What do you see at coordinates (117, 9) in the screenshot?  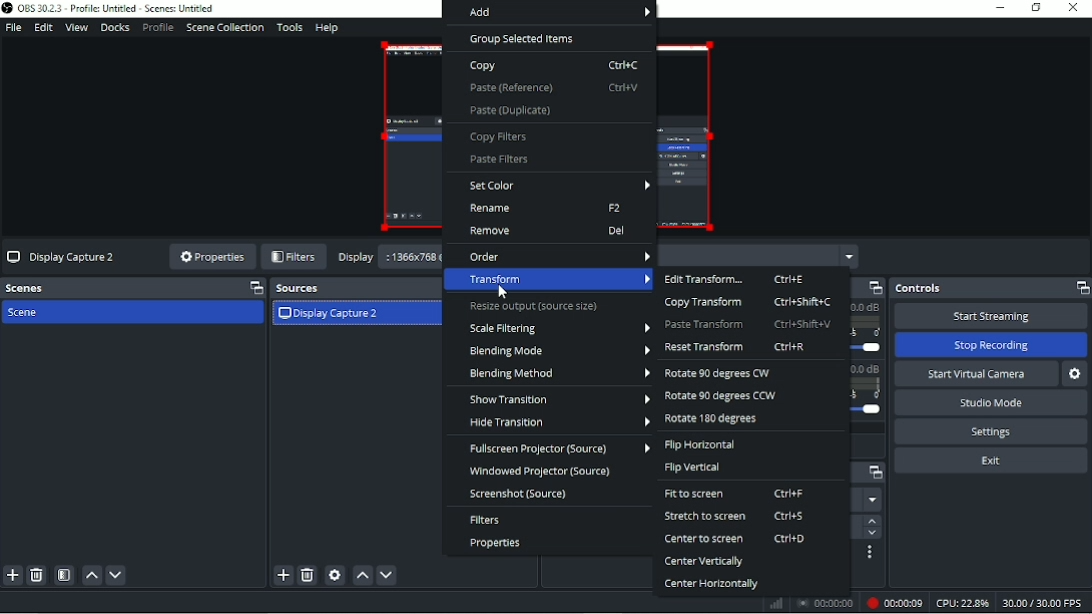 I see `OBS 30.2.3 - Profile: Untitled - Scenes: Untitled` at bounding box center [117, 9].